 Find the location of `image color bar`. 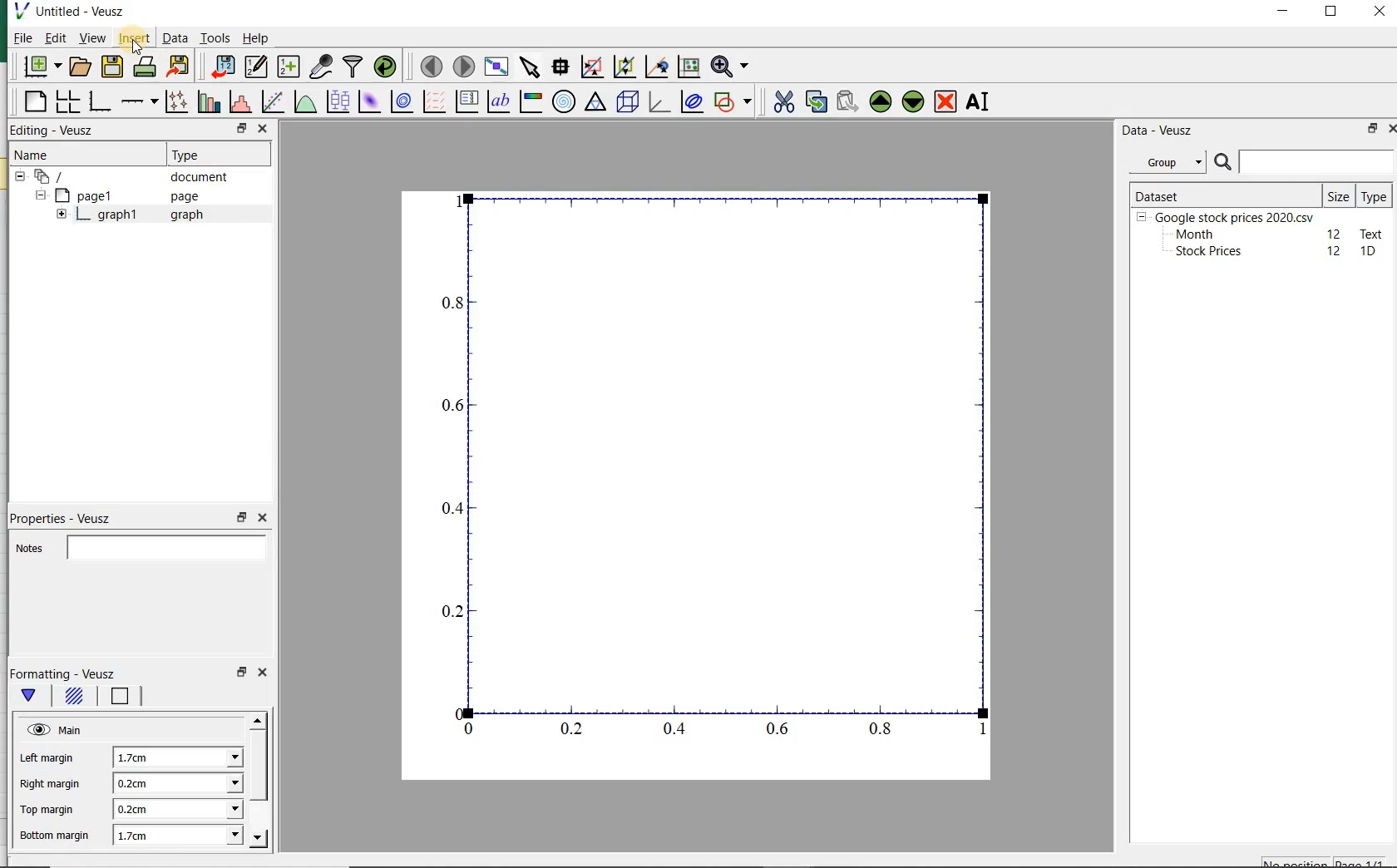

image color bar is located at coordinates (529, 101).